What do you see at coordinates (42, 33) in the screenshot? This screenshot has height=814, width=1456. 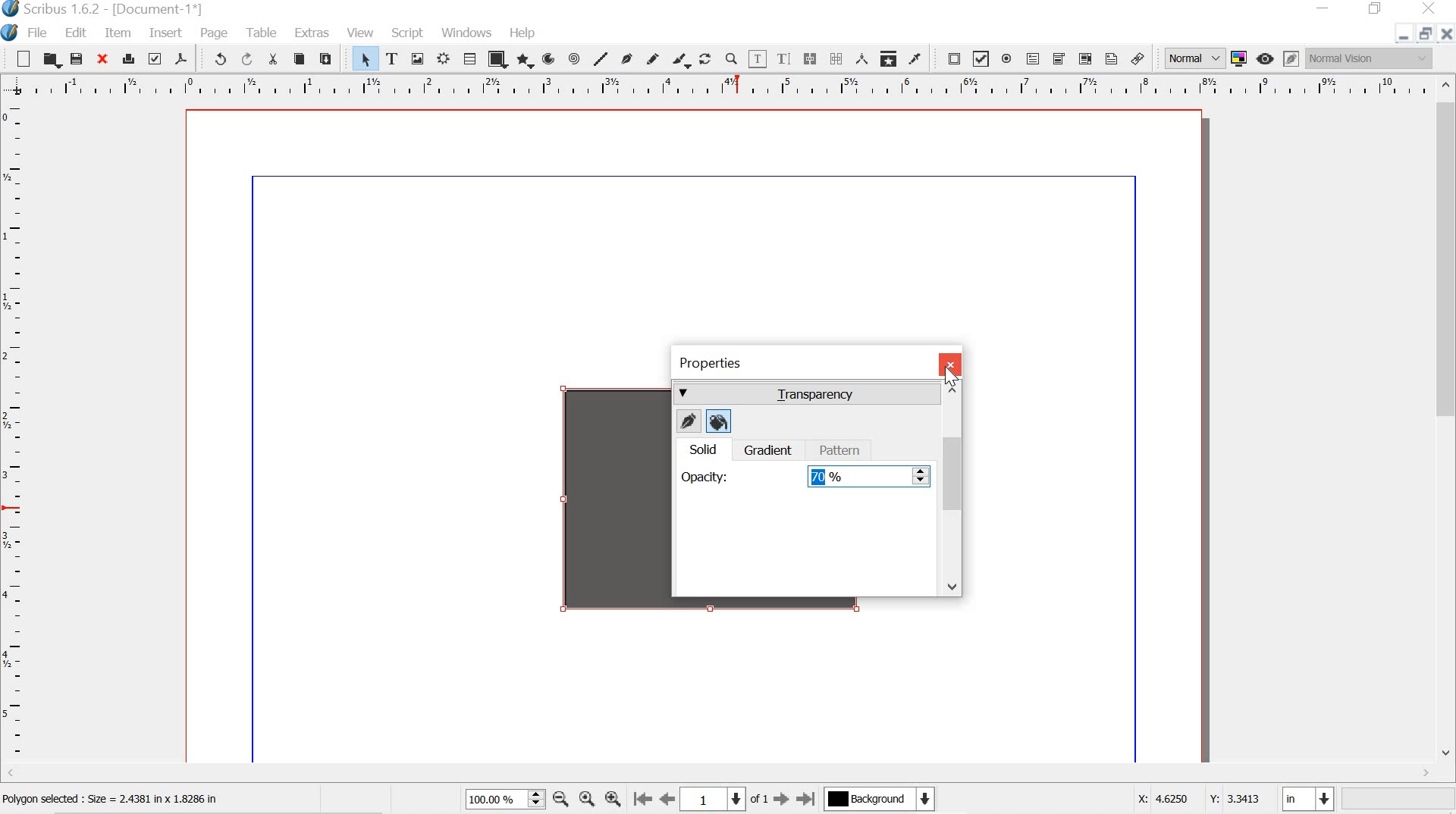 I see `file` at bounding box center [42, 33].